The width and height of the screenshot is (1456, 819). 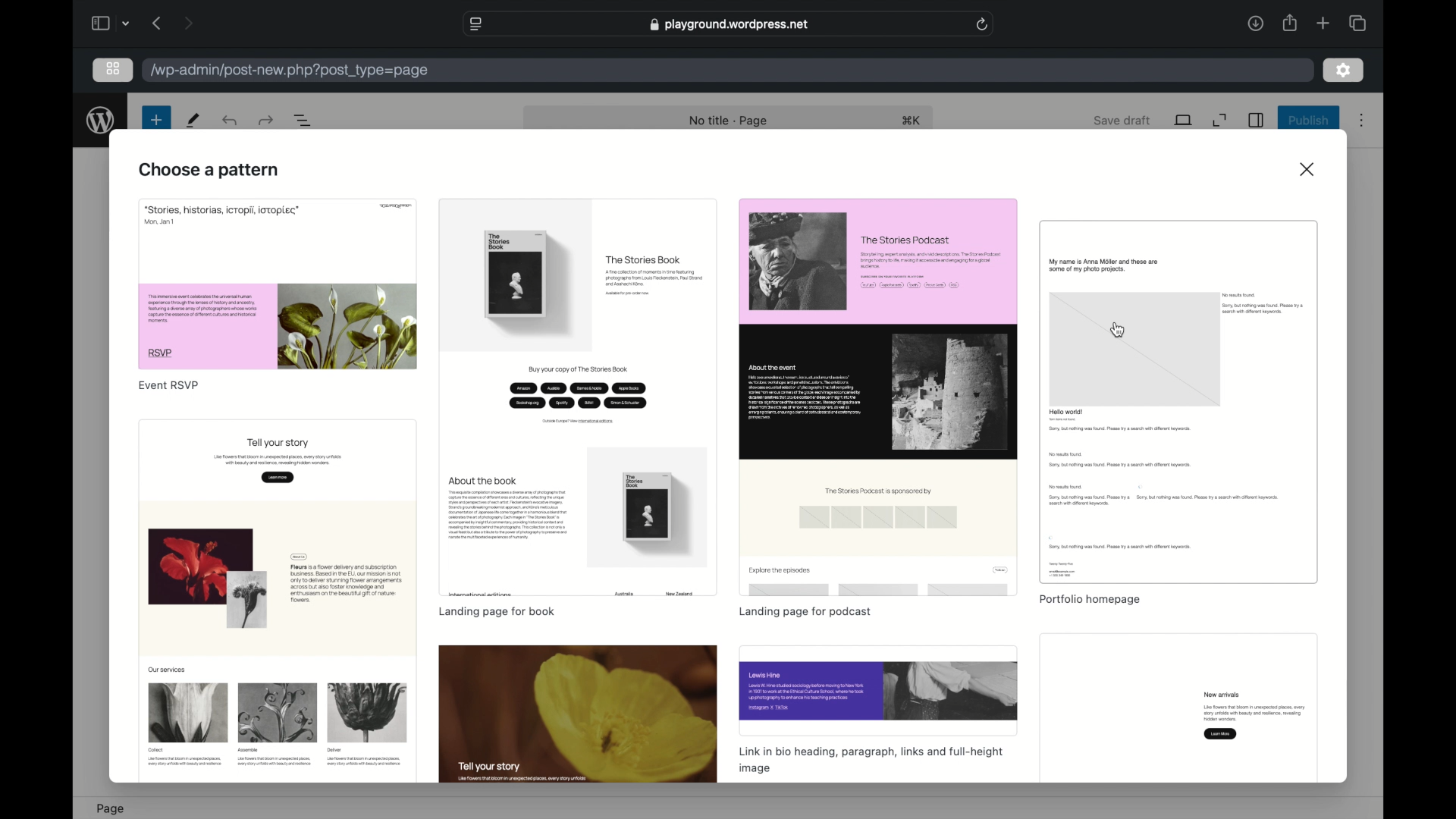 What do you see at coordinates (100, 121) in the screenshot?
I see `wordpress` at bounding box center [100, 121].